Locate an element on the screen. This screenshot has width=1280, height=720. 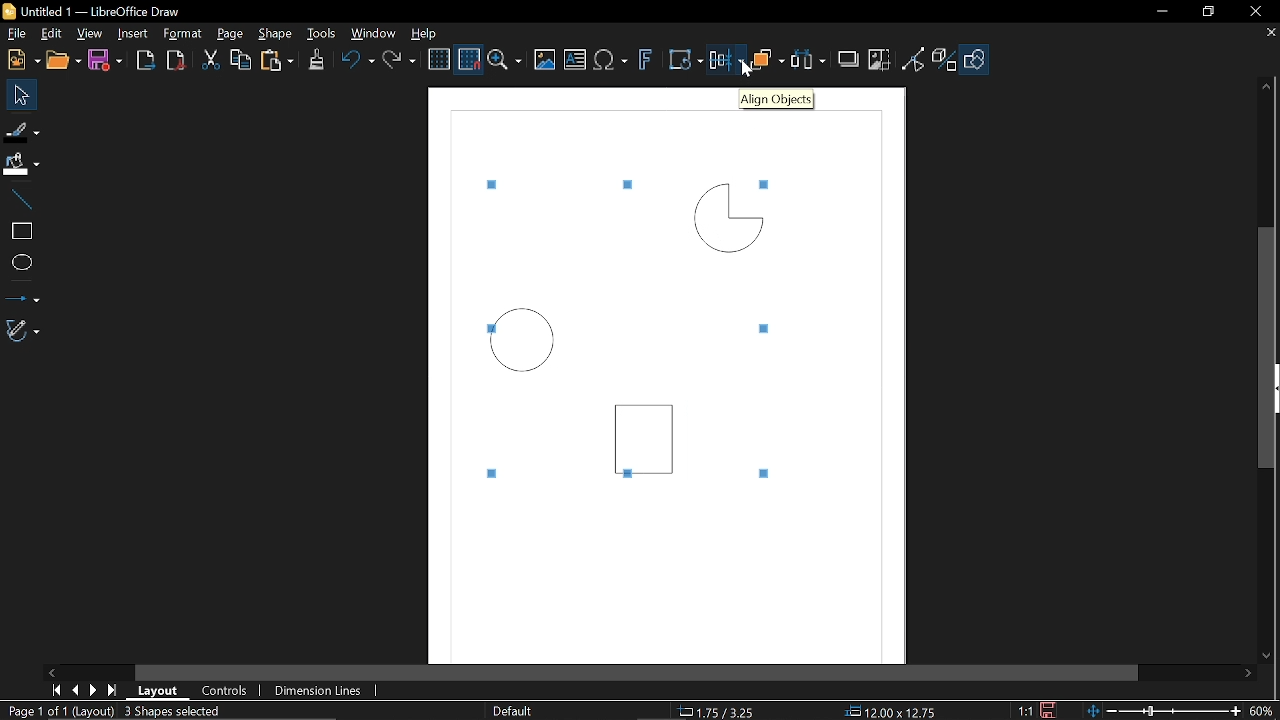
Ellipse is located at coordinates (20, 263).